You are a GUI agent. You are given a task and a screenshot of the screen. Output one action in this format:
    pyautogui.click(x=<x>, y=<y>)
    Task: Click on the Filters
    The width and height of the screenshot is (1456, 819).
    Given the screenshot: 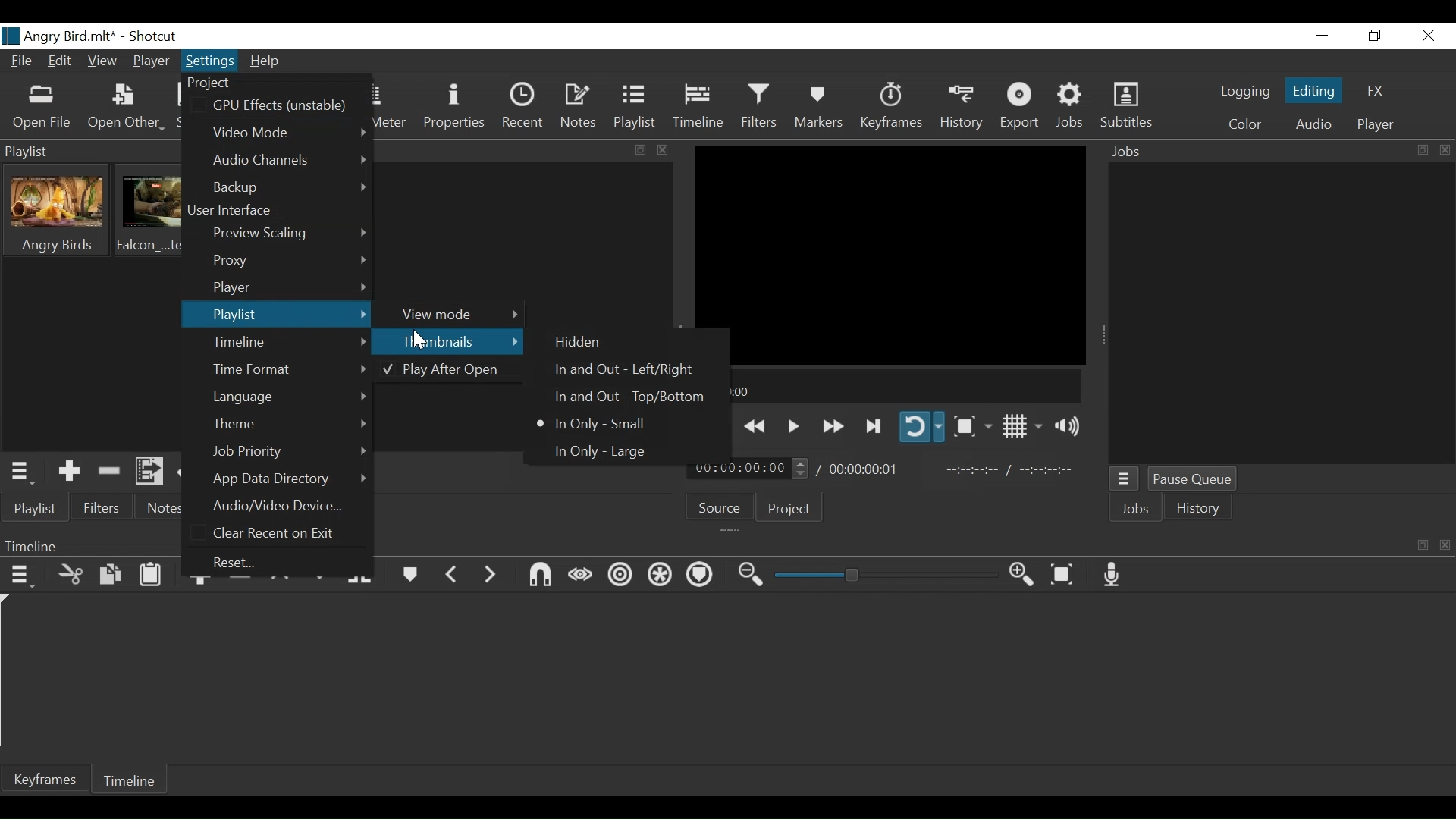 What is the action you would take?
    pyautogui.click(x=104, y=508)
    